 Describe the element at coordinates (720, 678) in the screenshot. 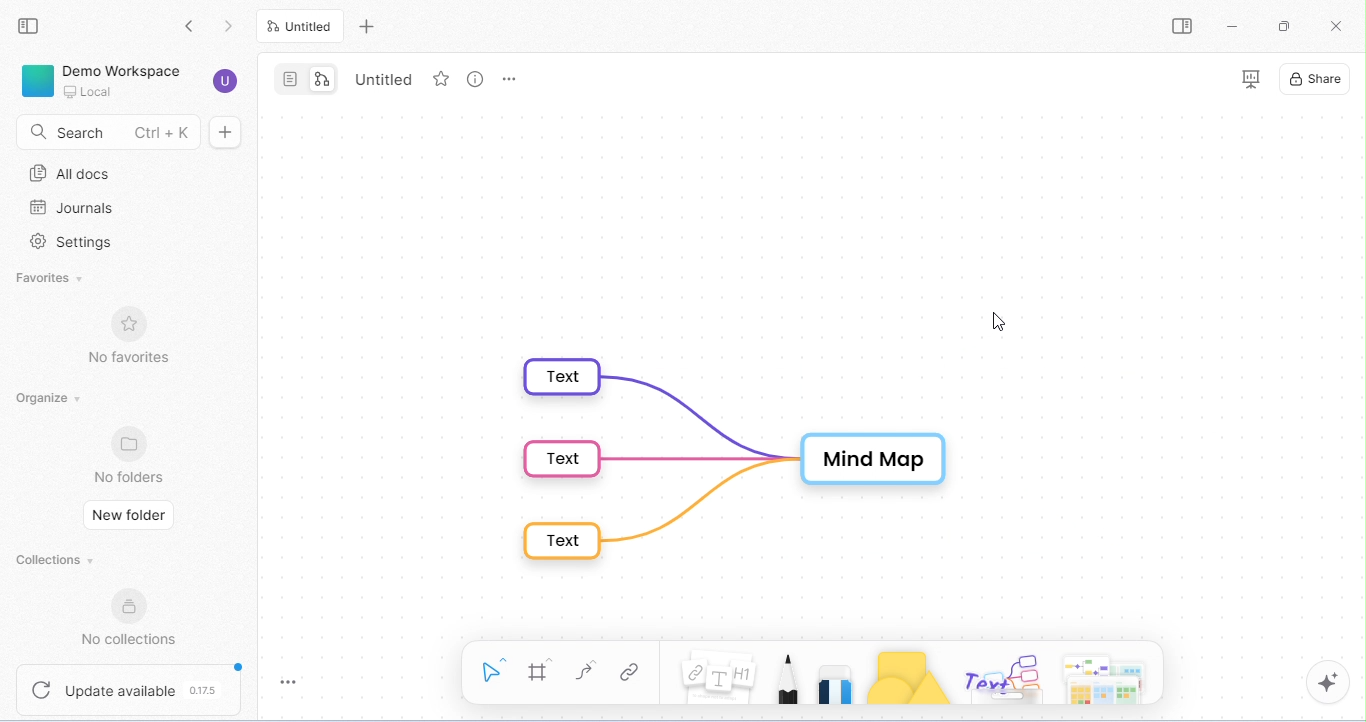

I see `note` at that location.